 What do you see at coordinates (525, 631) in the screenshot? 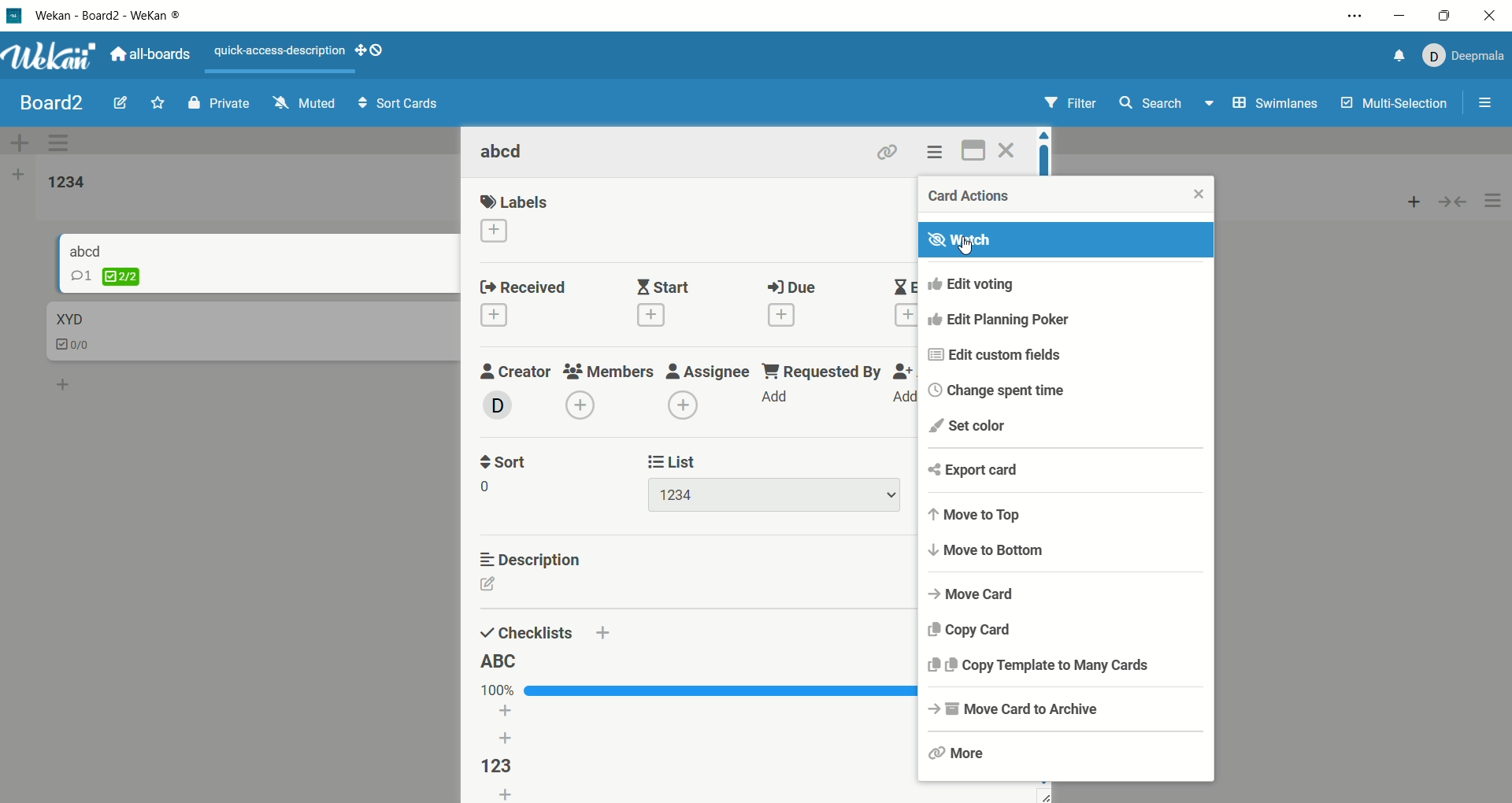
I see `checklists` at bounding box center [525, 631].